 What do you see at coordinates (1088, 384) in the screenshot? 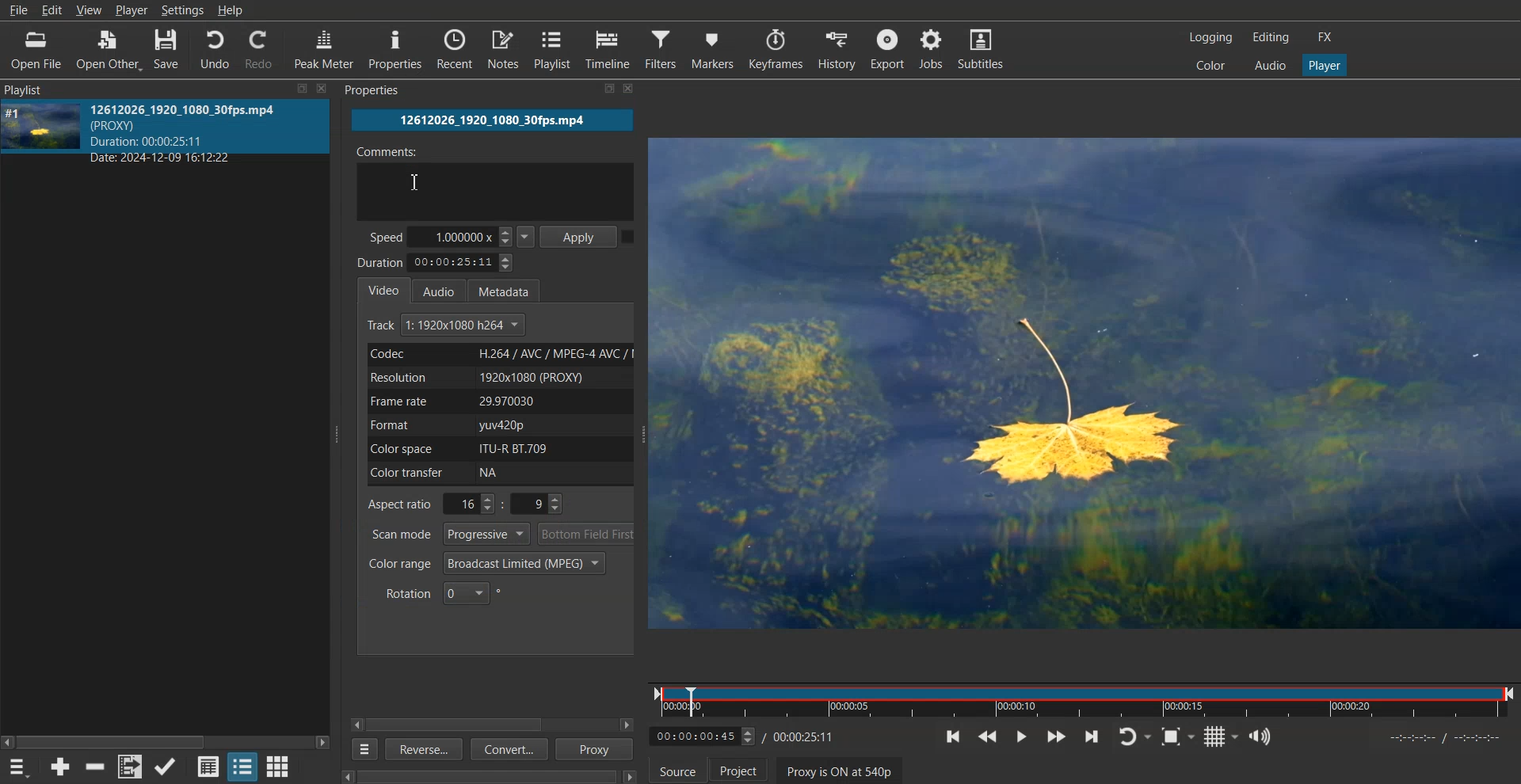
I see `Preview` at bounding box center [1088, 384].